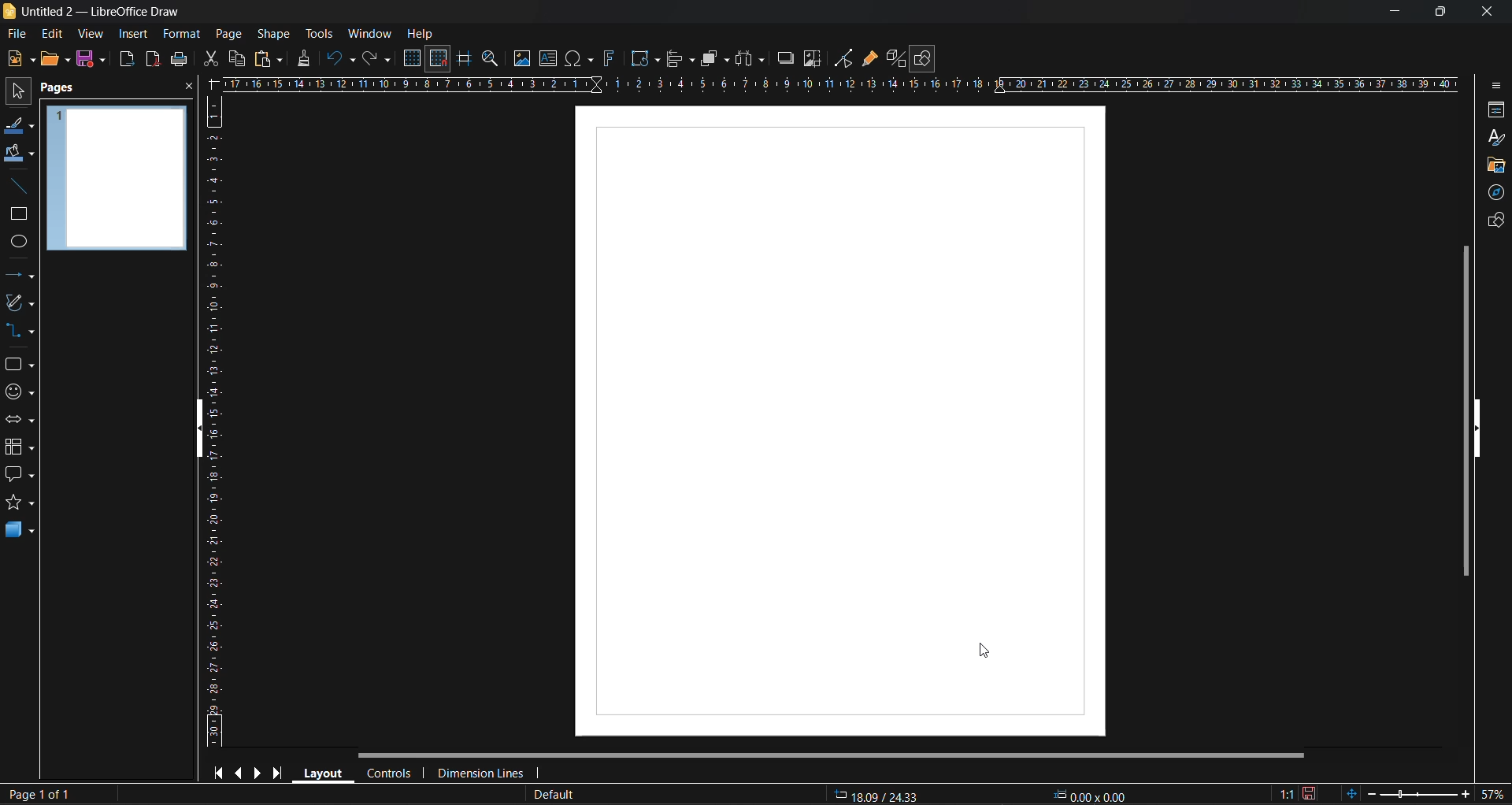 The height and width of the screenshot is (805, 1512). I want to click on hide, so click(192, 429).